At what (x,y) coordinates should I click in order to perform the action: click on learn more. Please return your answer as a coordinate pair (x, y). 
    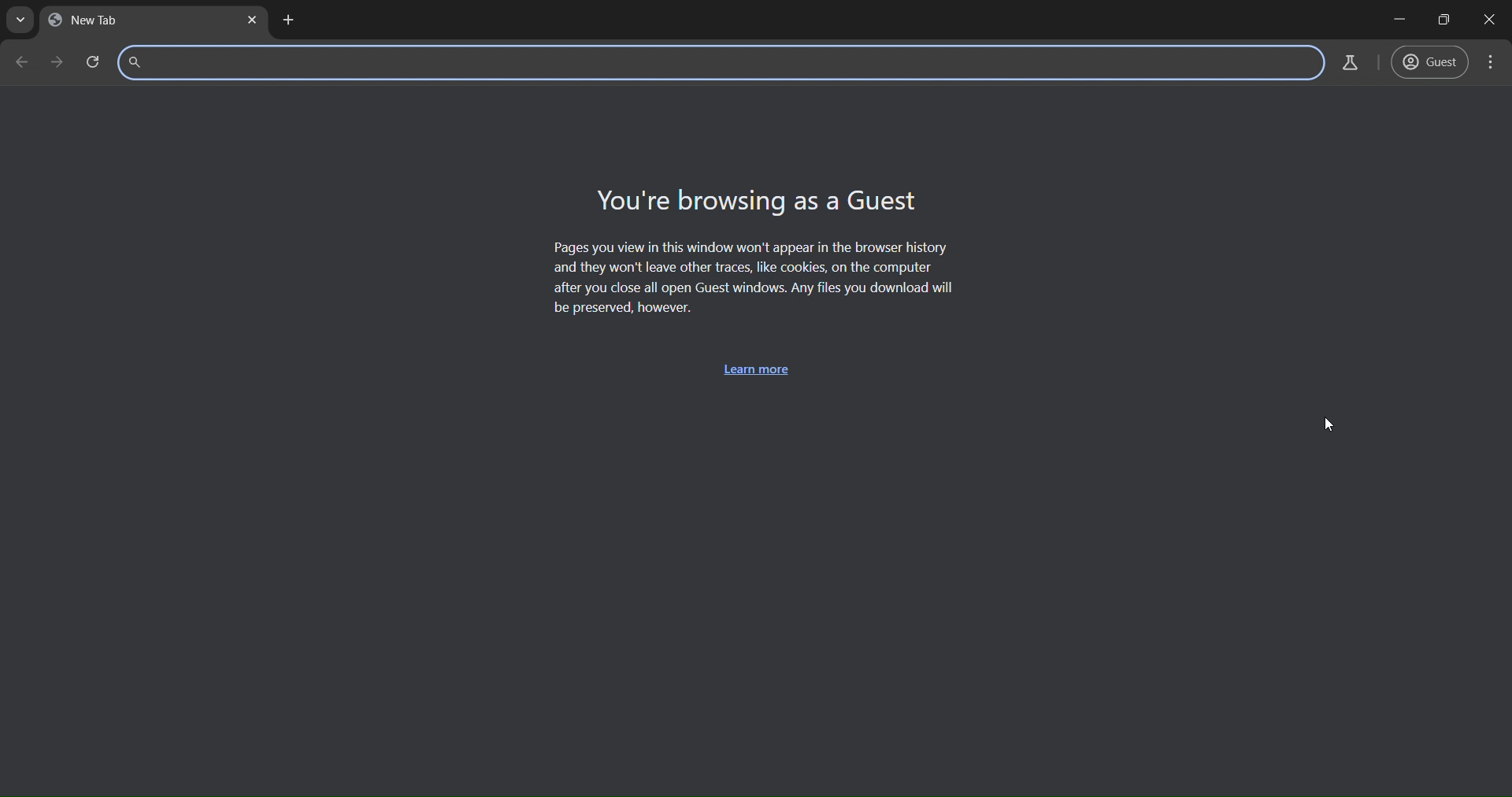
    Looking at the image, I should click on (761, 369).